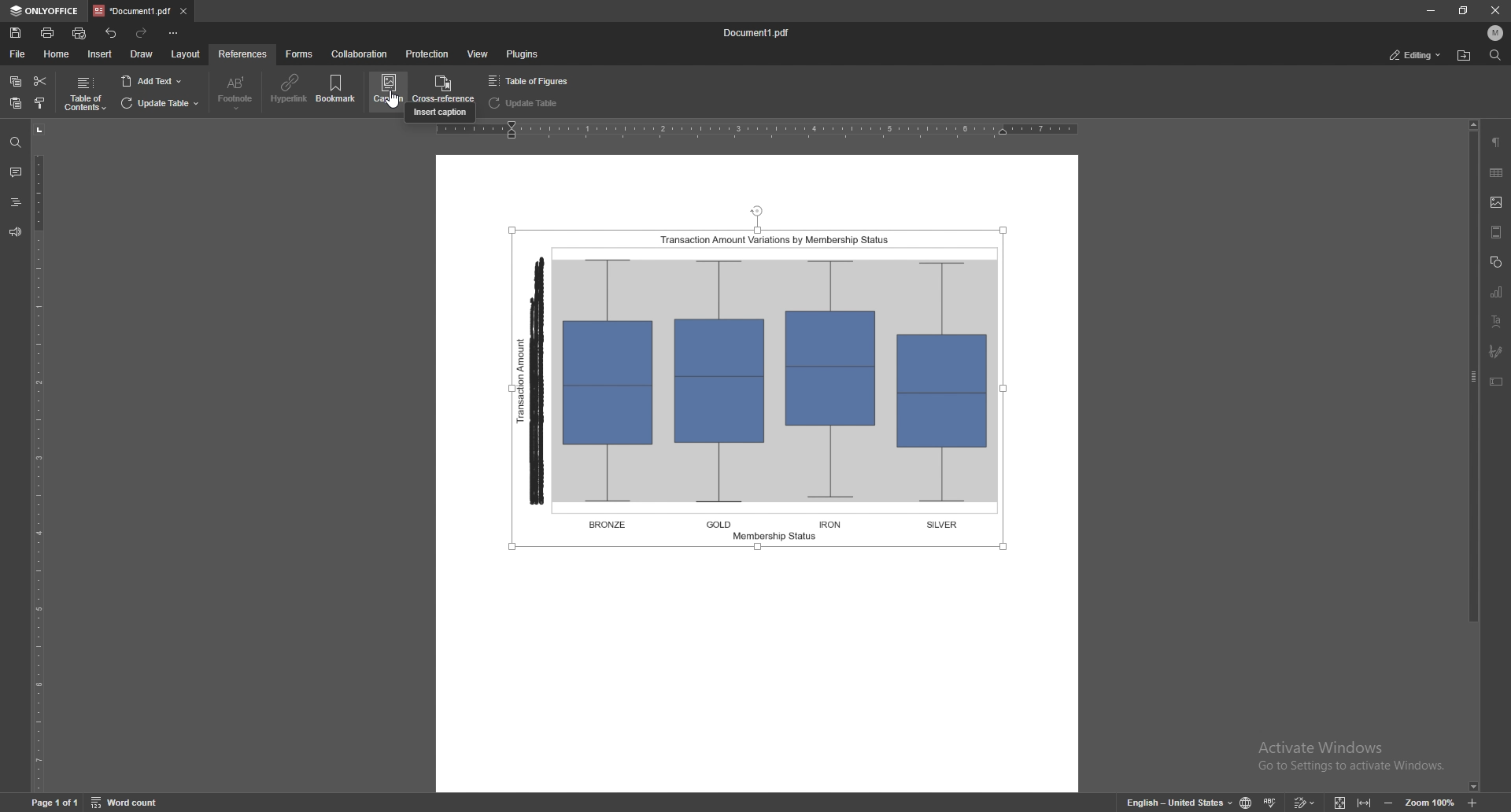 Image resolution: width=1511 pixels, height=812 pixels. What do you see at coordinates (14, 232) in the screenshot?
I see `feedback` at bounding box center [14, 232].